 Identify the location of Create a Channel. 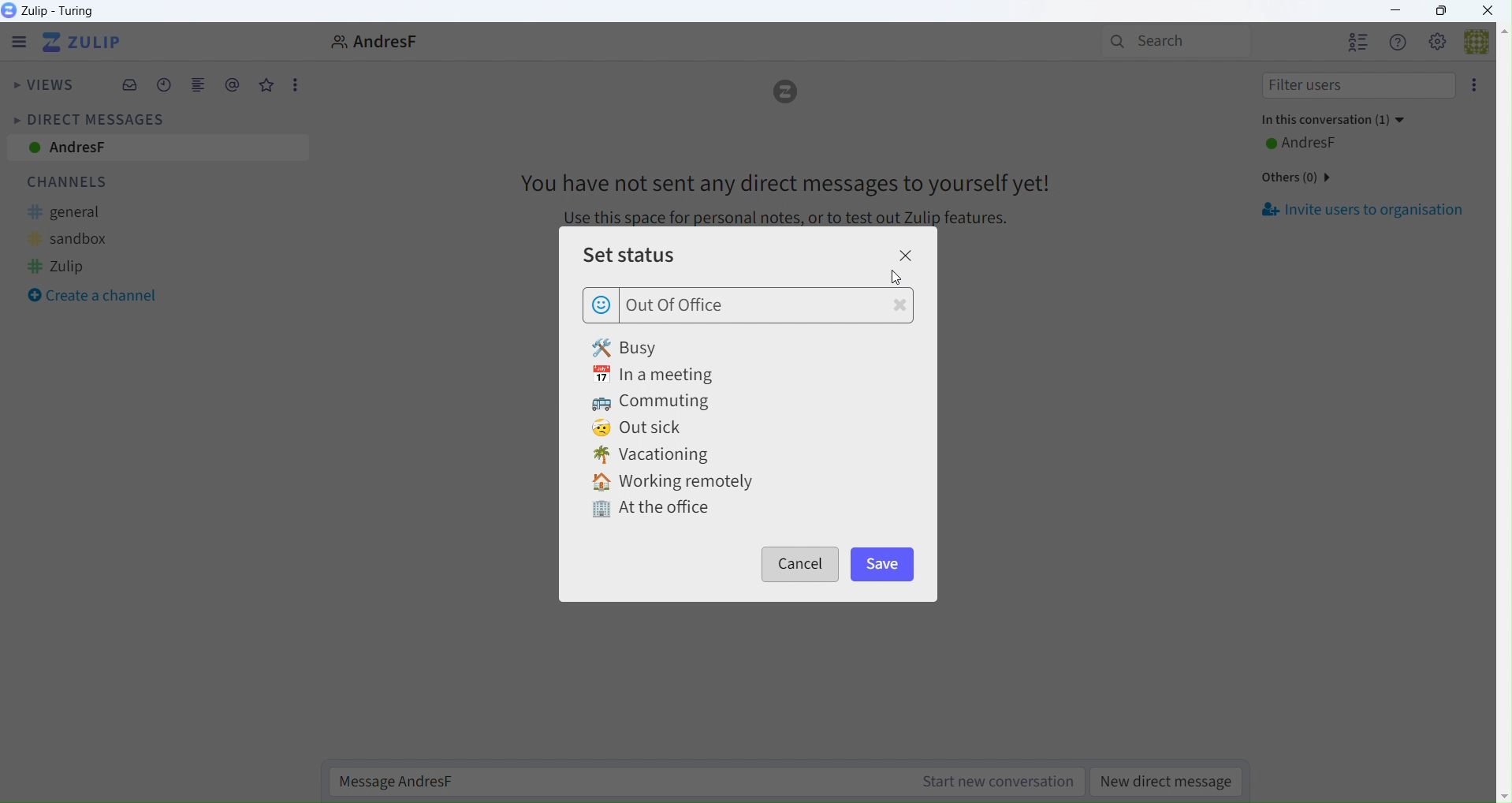
(93, 297).